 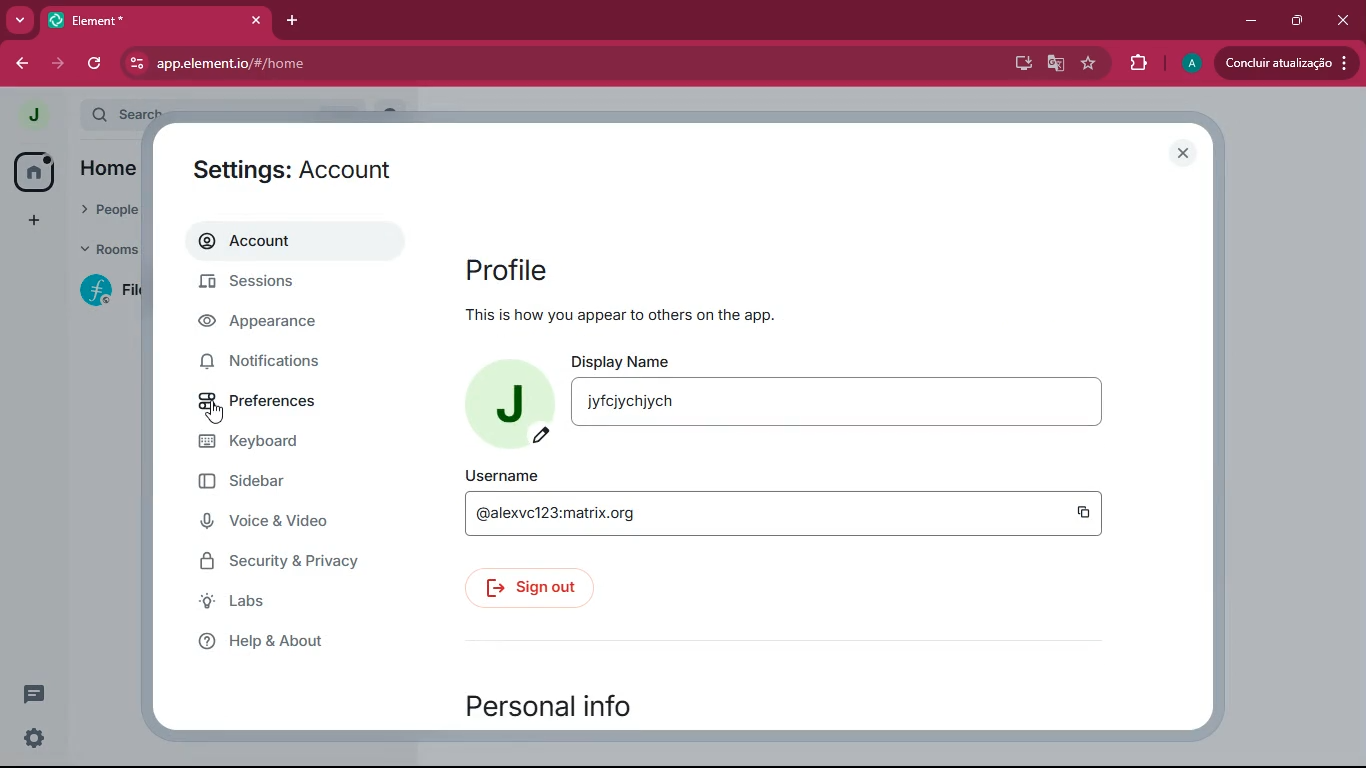 I want to click on profile picture, so click(x=507, y=402).